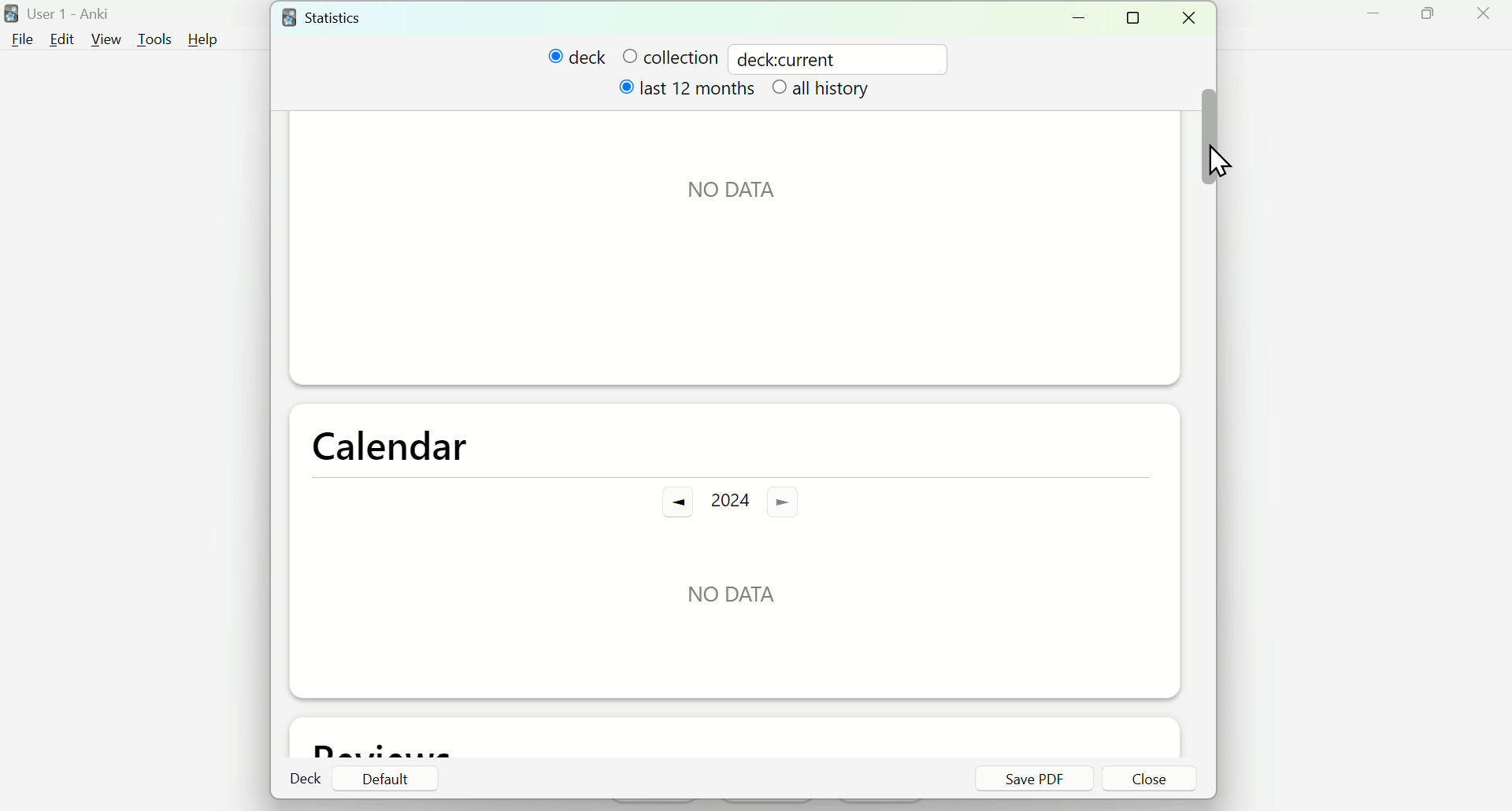 This screenshot has width=1512, height=811. Describe the element at coordinates (1138, 19) in the screenshot. I see `Maximize` at that location.